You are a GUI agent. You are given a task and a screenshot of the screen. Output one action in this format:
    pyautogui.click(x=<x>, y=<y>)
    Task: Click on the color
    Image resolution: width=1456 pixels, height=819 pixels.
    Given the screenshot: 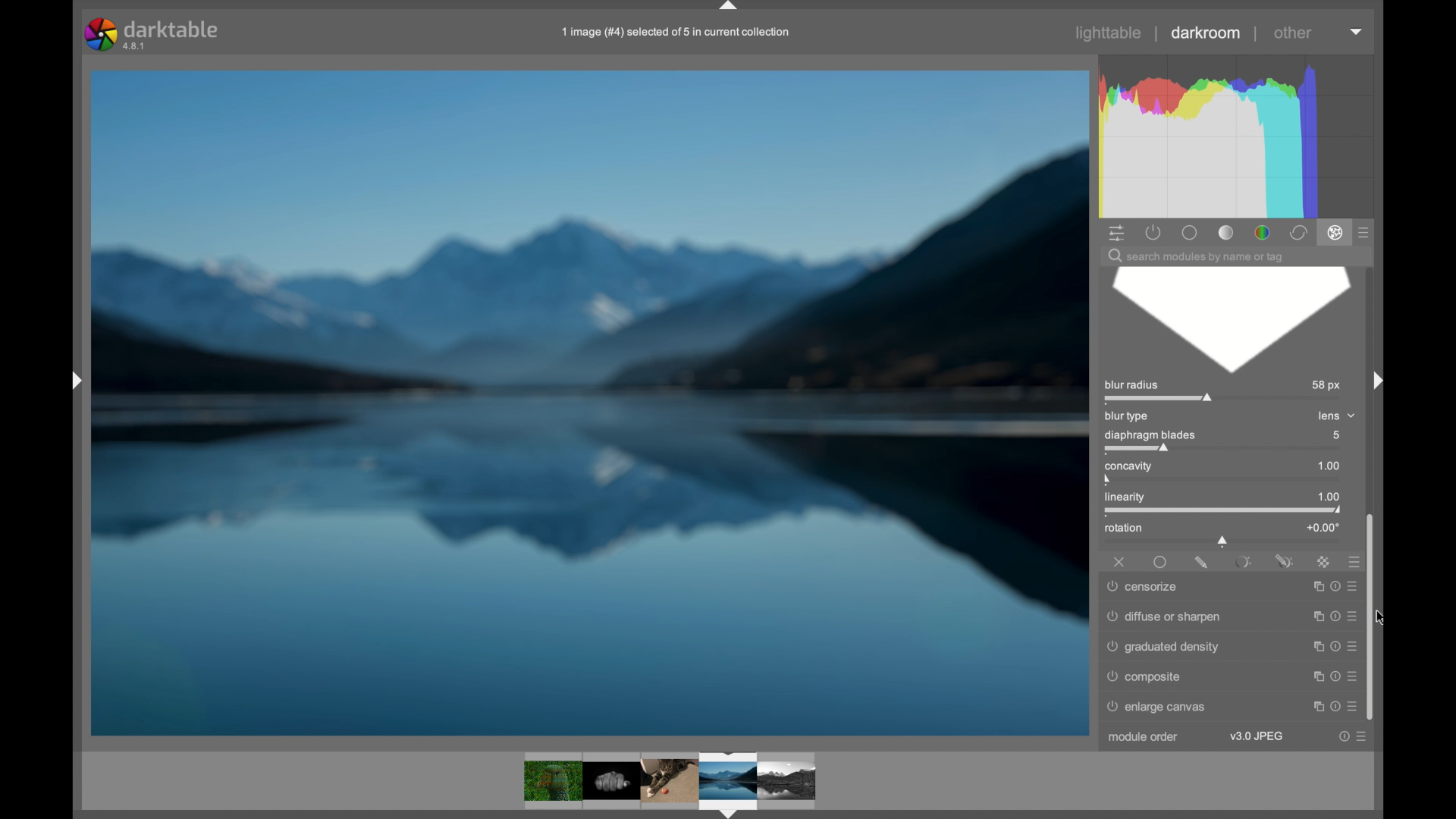 What is the action you would take?
    pyautogui.click(x=1261, y=232)
    